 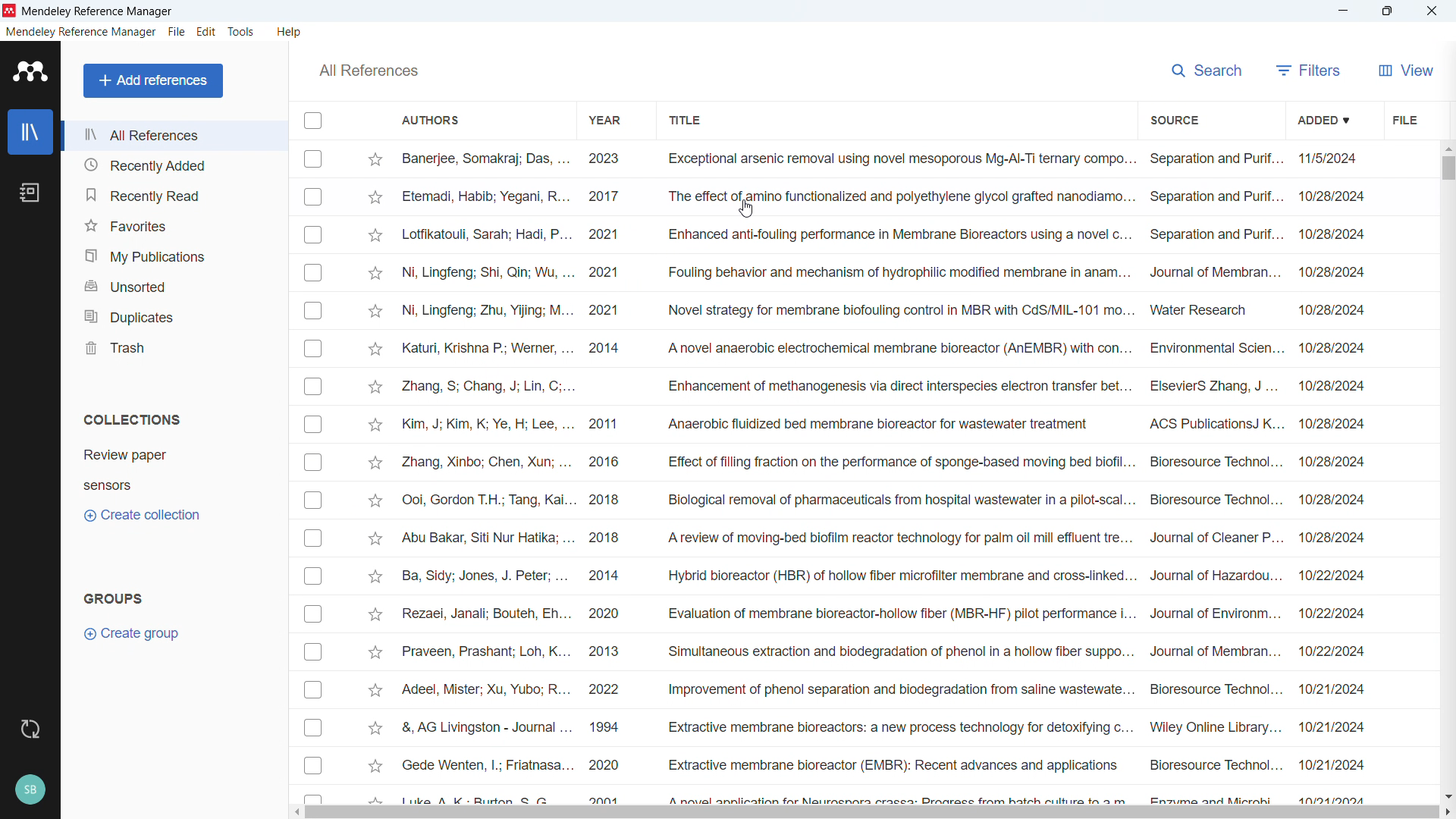 What do you see at coordinates (172, 254) in the screenshot?
I see `My publications ` at bounding box center [172, 254].